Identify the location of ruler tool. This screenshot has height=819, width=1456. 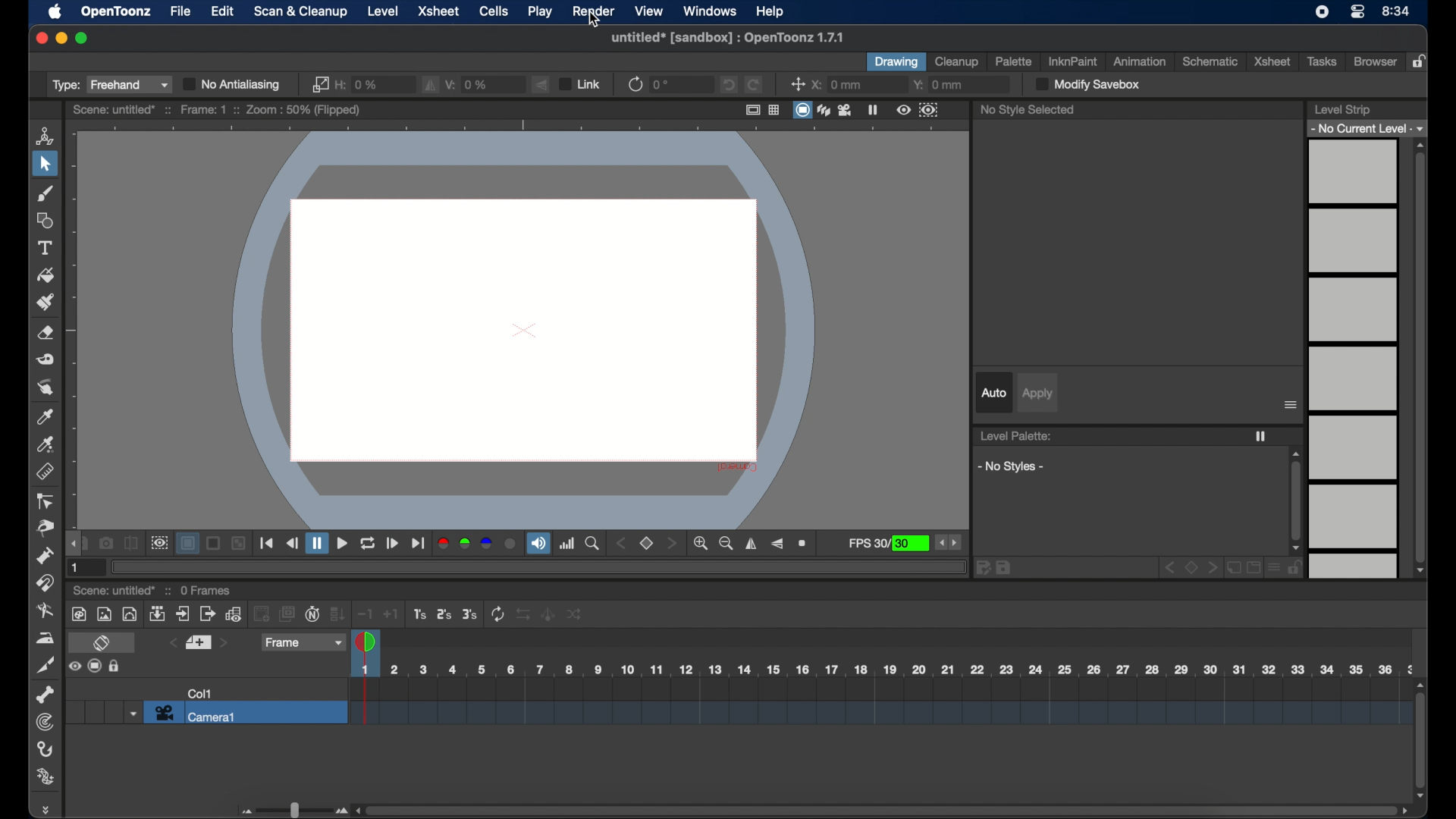
(45, 470).